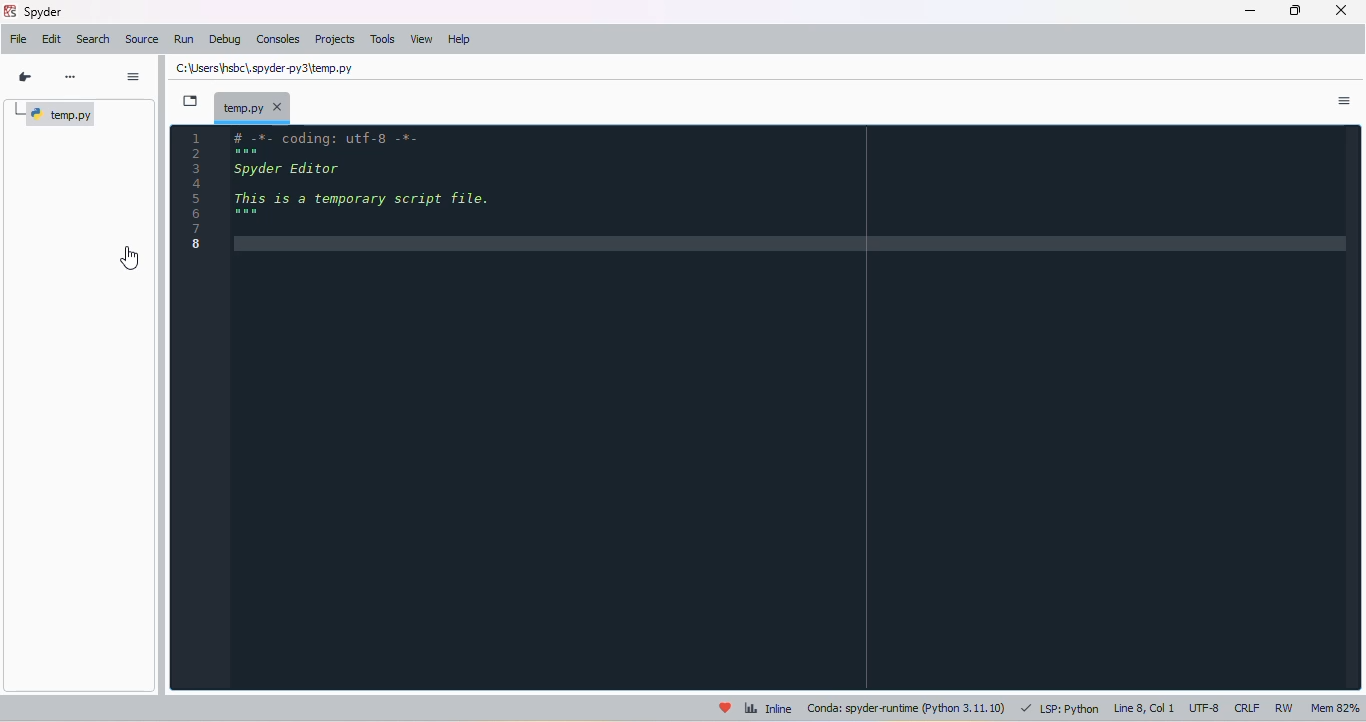 The image size is (1366, 722). What do you see at coordinates (1060, 708) in the screenshot?
I see `LSP: Python` at bounding box center [1060, 708].